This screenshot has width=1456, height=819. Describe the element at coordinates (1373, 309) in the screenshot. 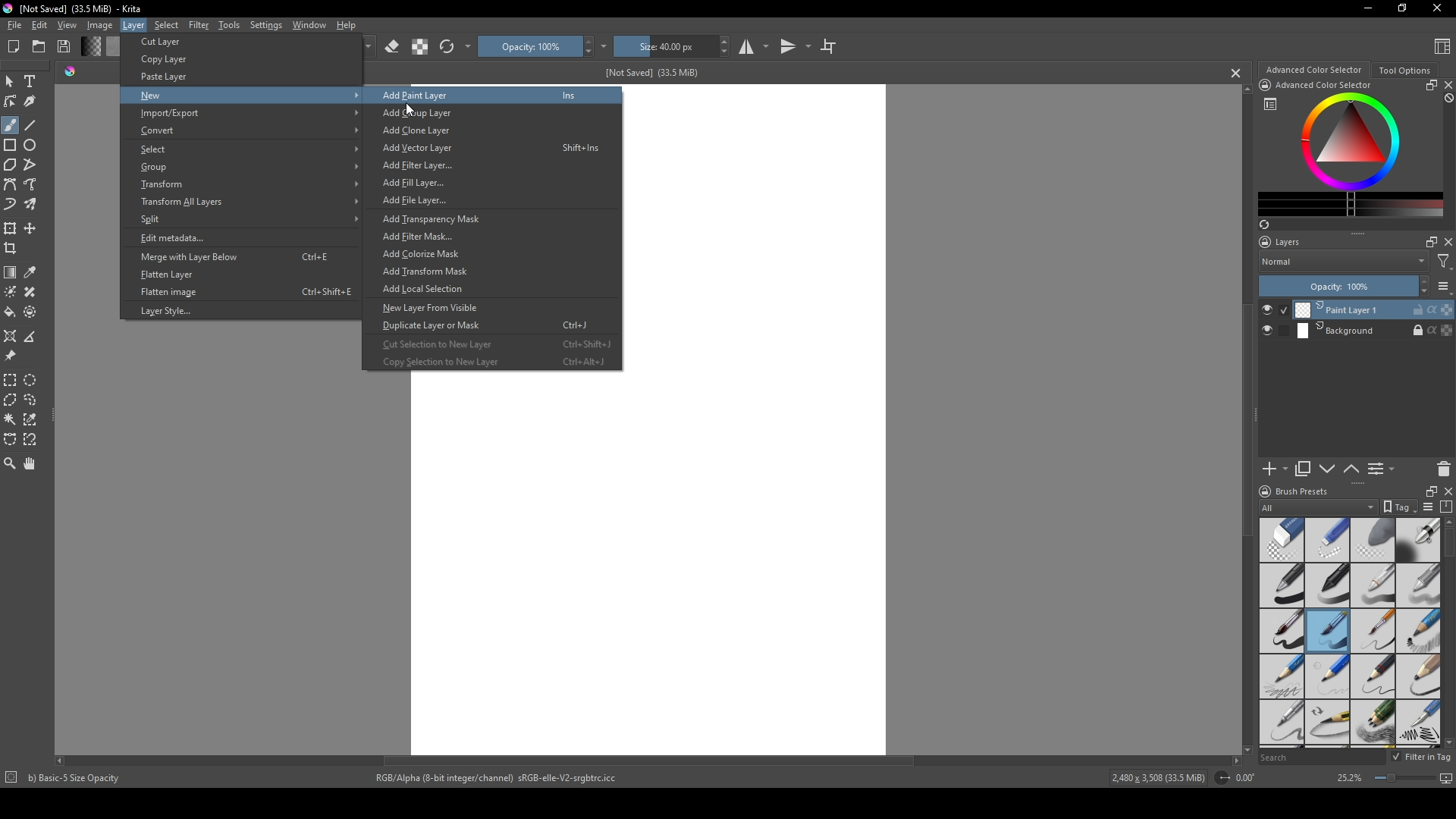

I see `Print Layer 1` at that location.